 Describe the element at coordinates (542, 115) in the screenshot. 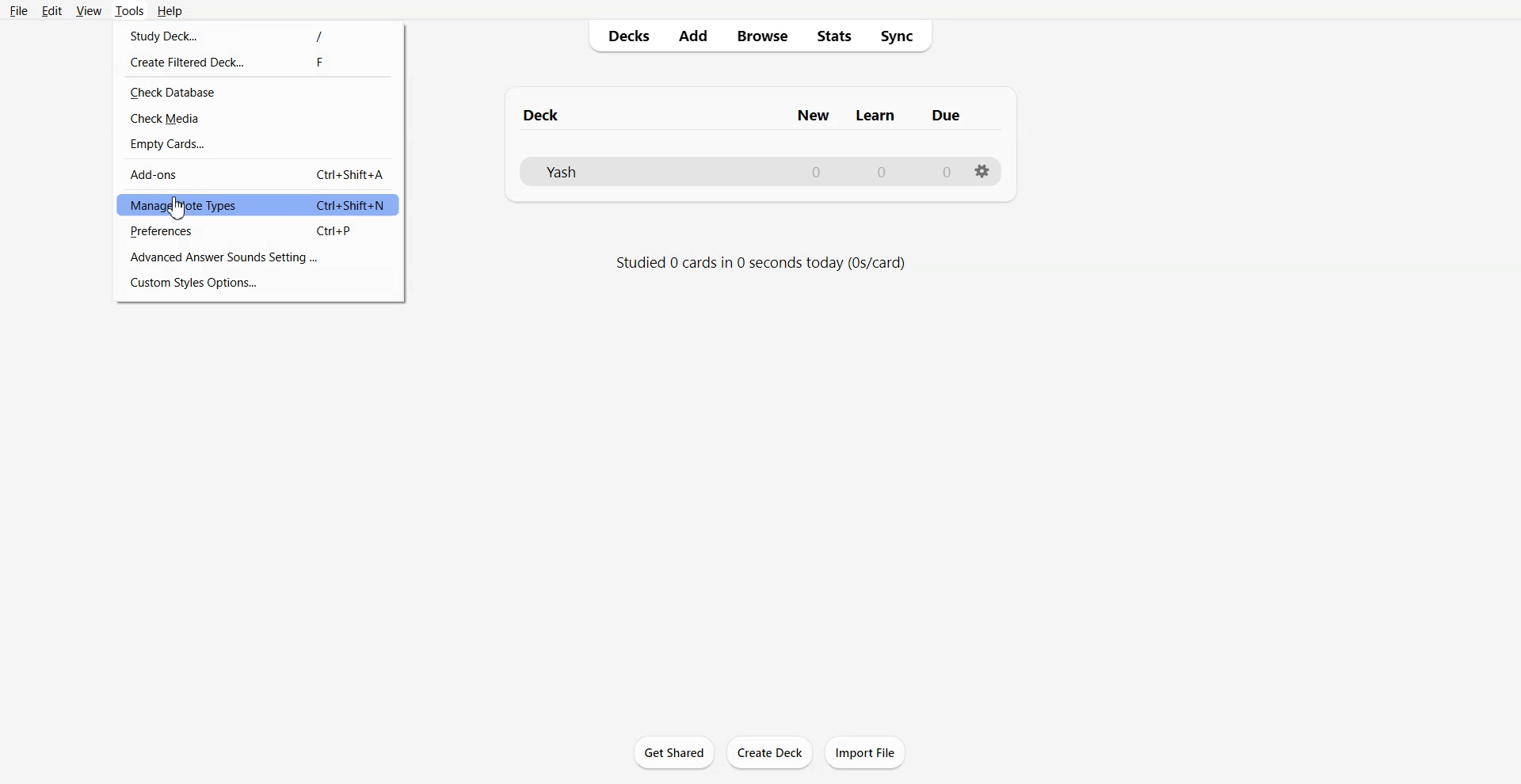

I see `Text 1` at that location.